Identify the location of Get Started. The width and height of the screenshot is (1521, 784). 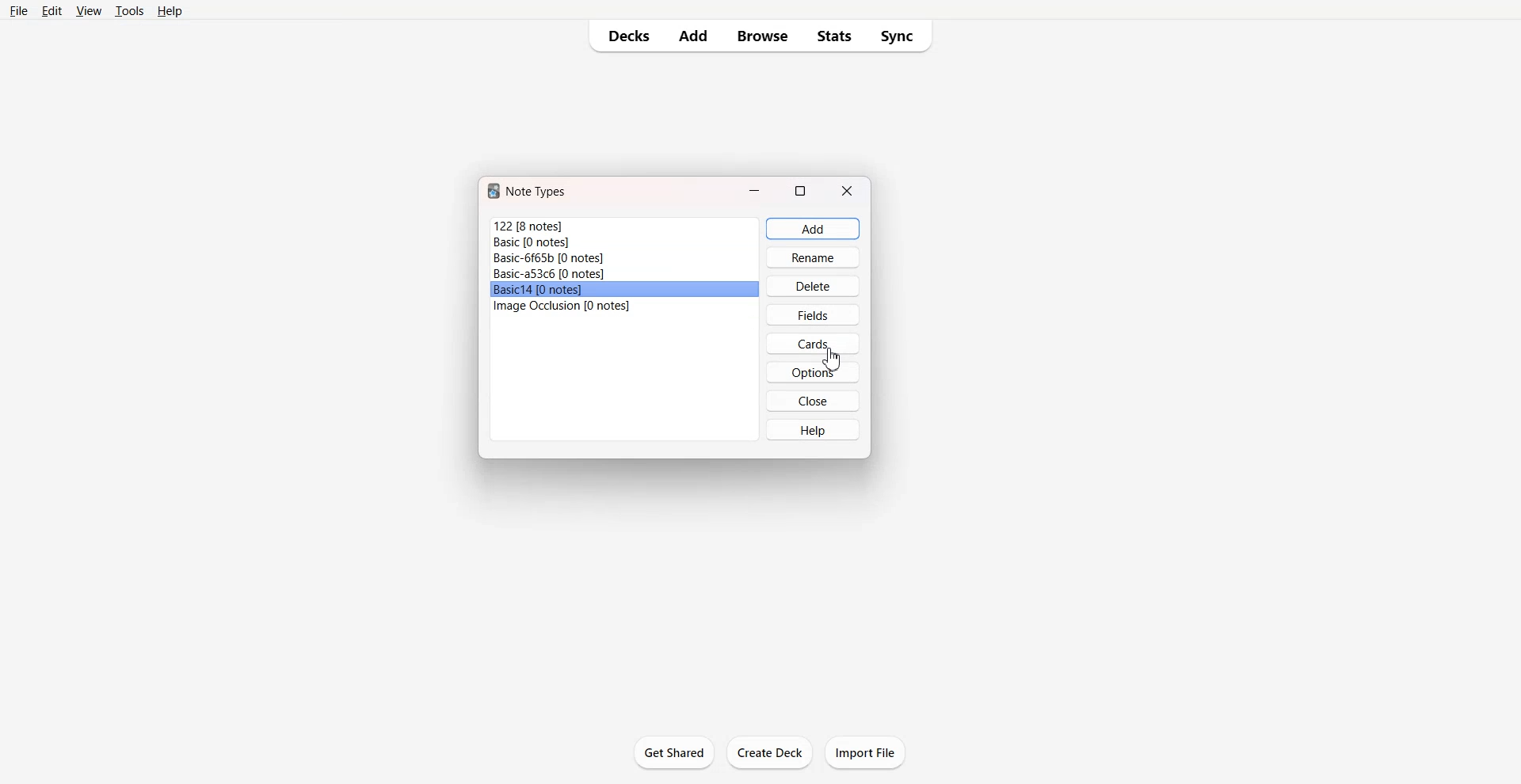
(675, 752).